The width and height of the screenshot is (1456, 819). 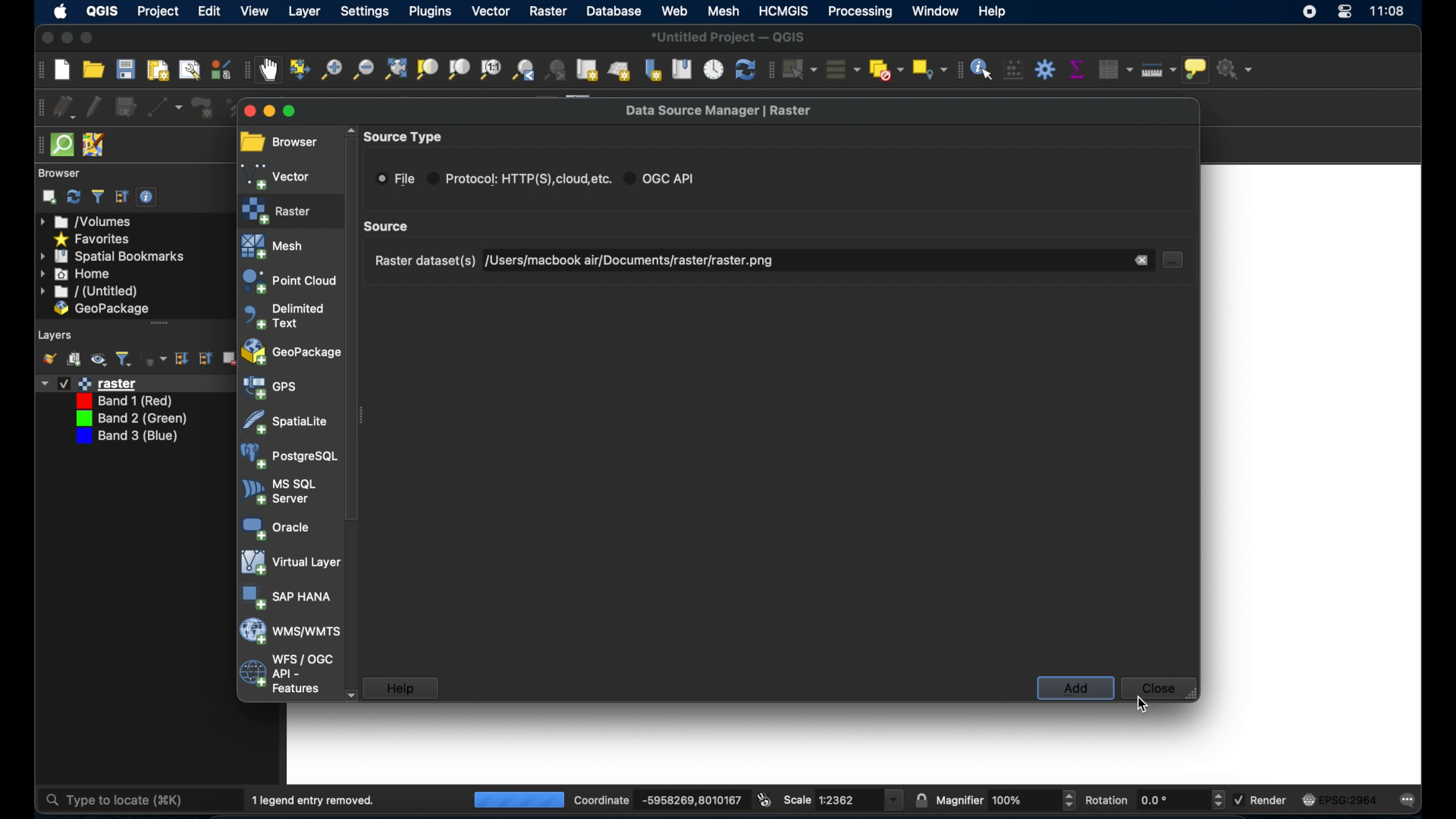 I want to click on save layer edits, so click(x=125, y=105).